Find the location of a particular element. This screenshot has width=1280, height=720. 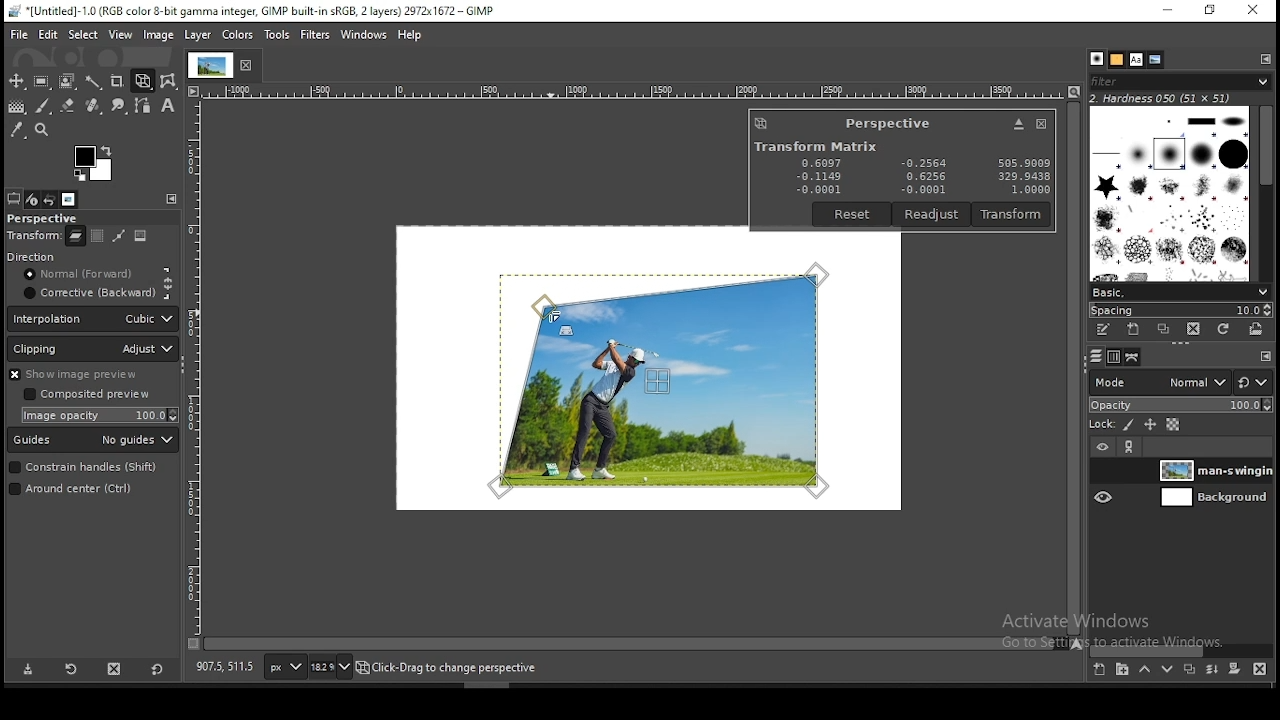

device status is located at coordinates (33, 200).